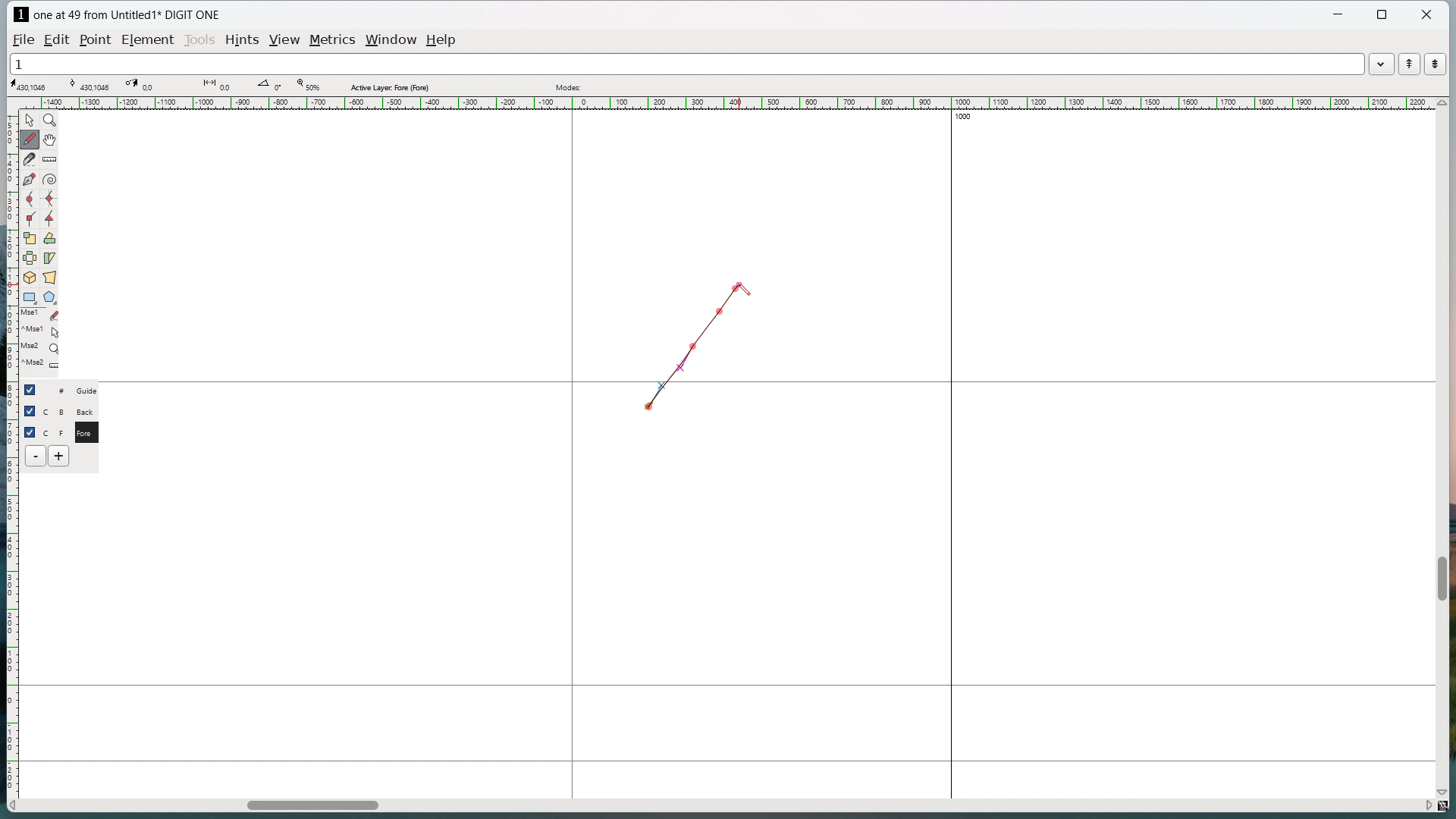 This screenshot has height=819, width=1456. I want to click on angle between lines, so click(268, 84).